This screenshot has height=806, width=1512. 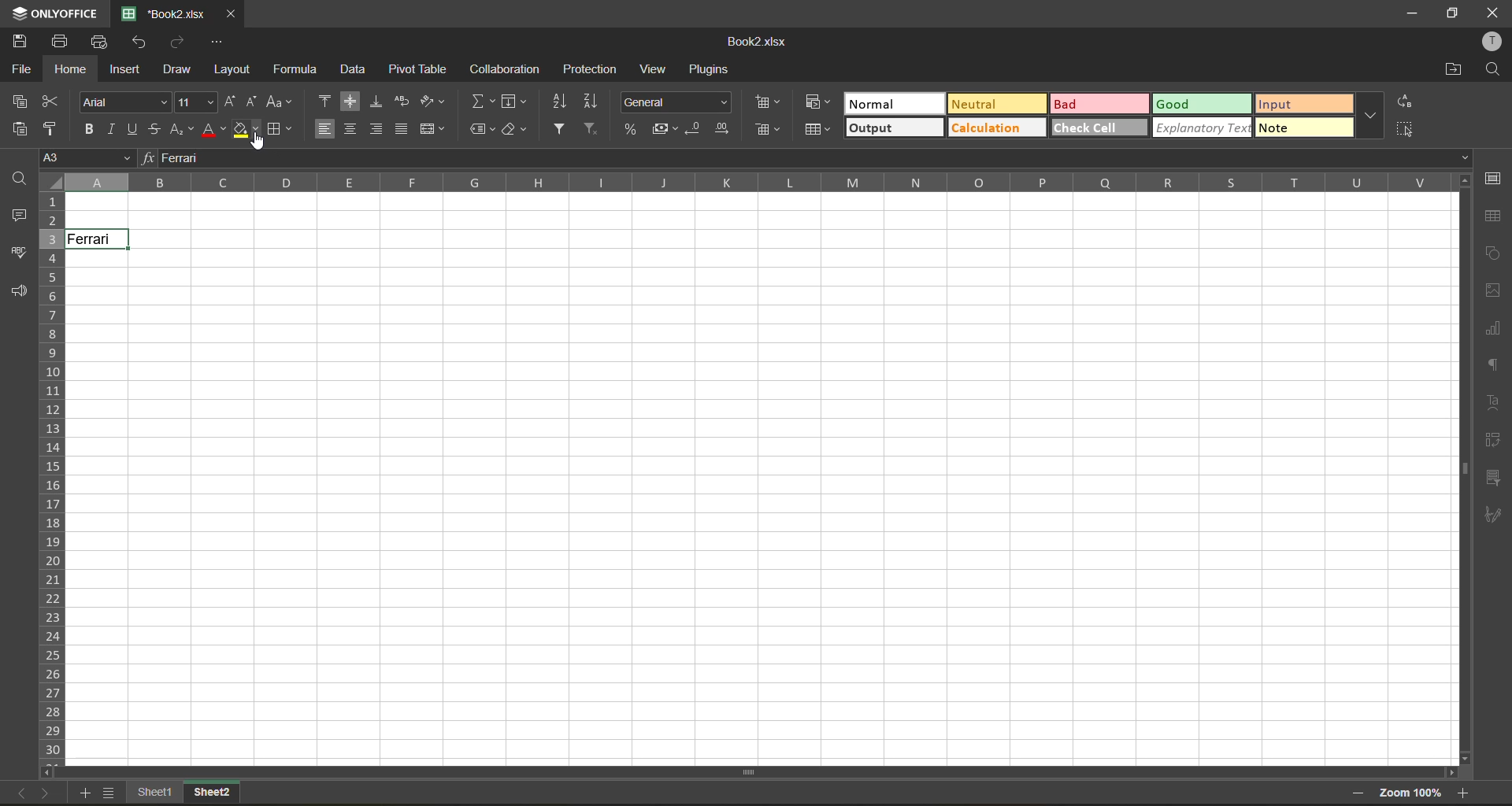 I want to click on next, so click(x=48, y=794).